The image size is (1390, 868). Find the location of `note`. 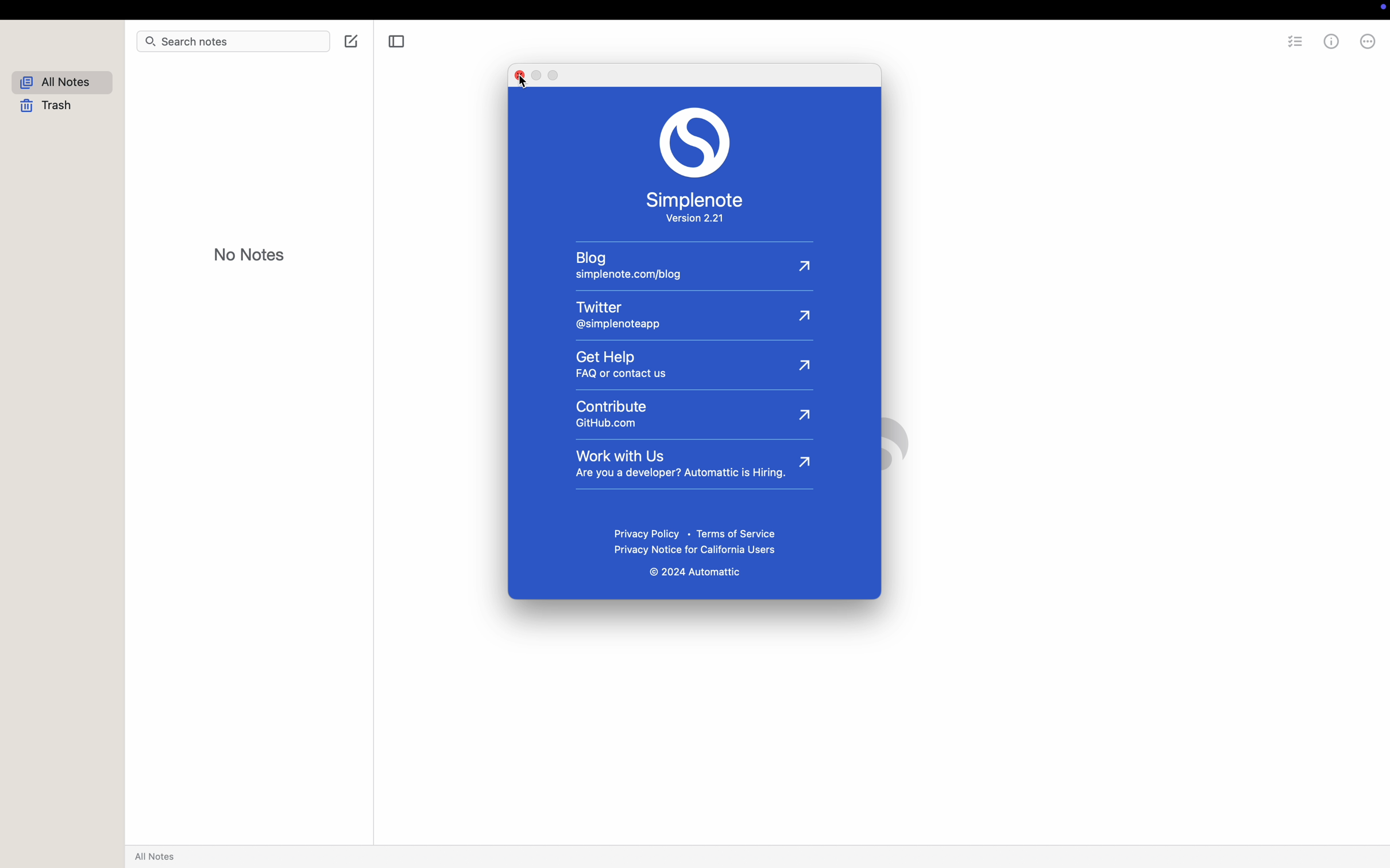

note is located at coordinates (134, 10).